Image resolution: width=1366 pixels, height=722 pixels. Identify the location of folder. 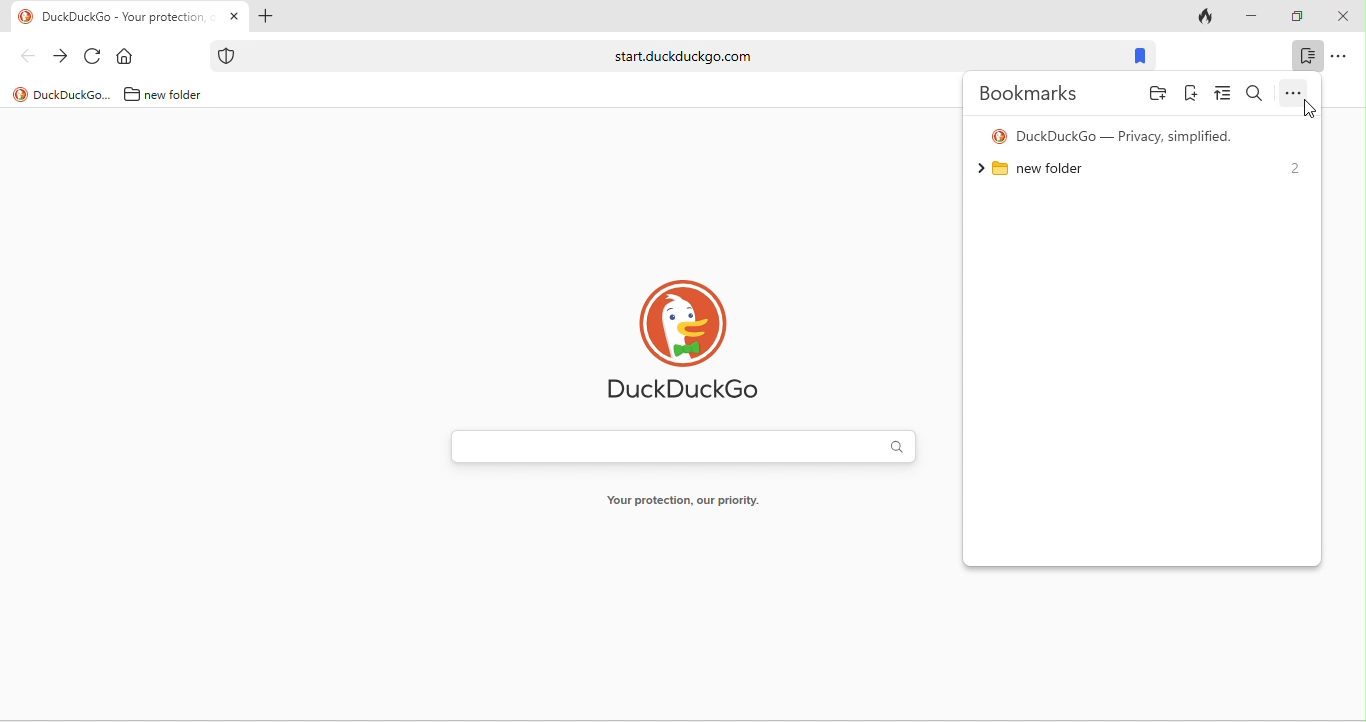
(1158, 93).